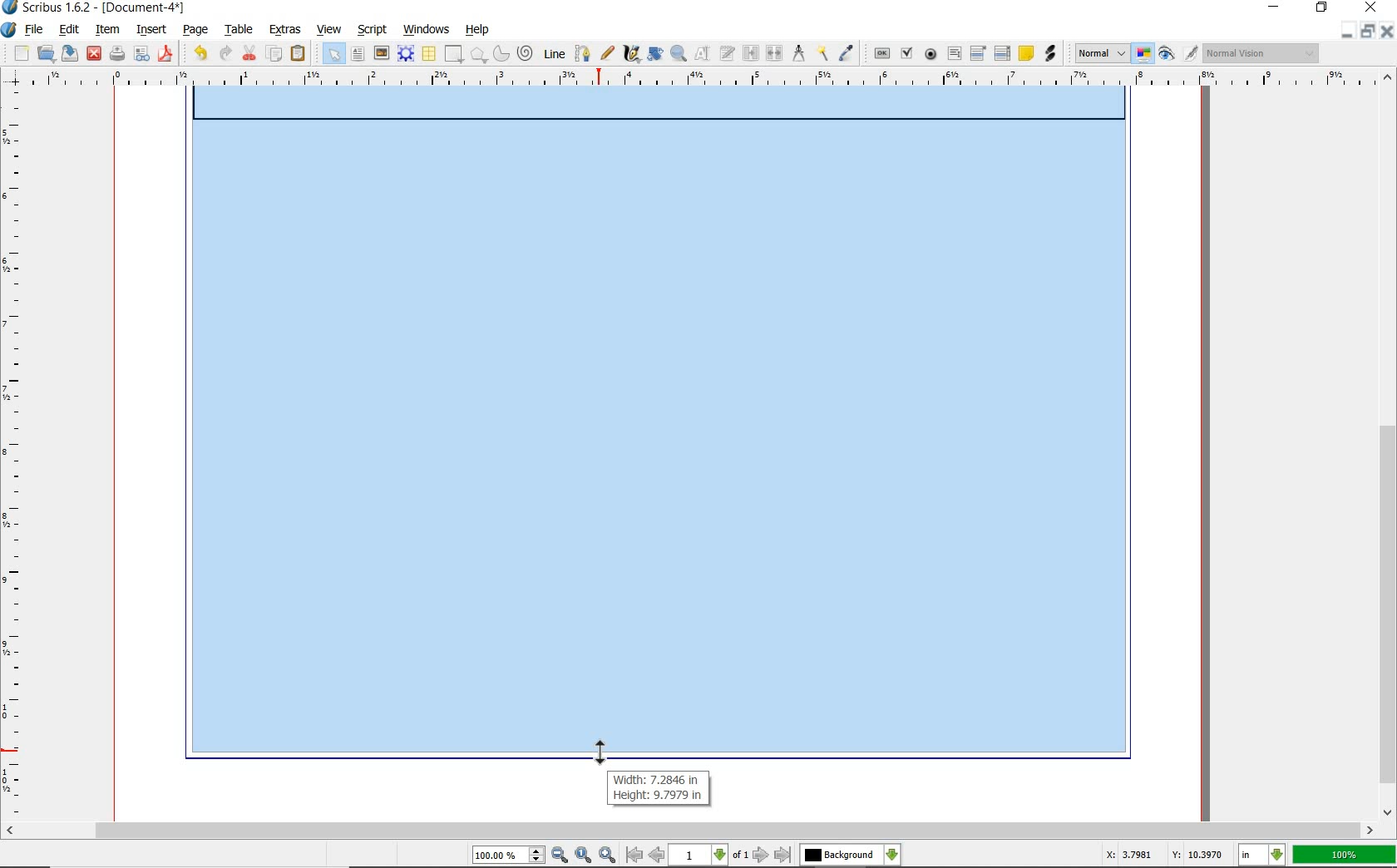 The height and width of the screenshot is (868, 1397). I want to click on Normal, so click(1101, 53).